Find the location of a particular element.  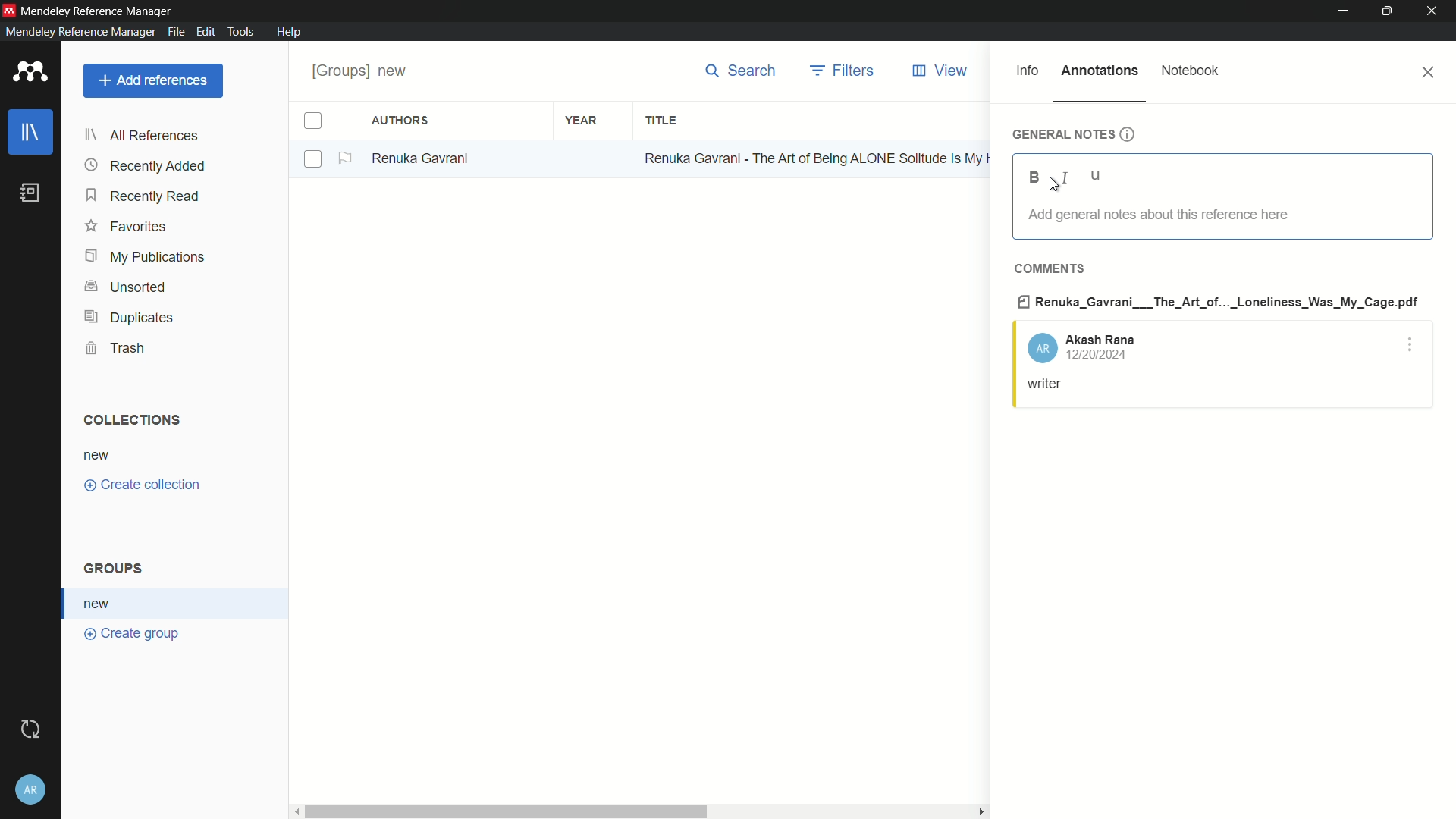

create group is located at coordinates (133, 635).